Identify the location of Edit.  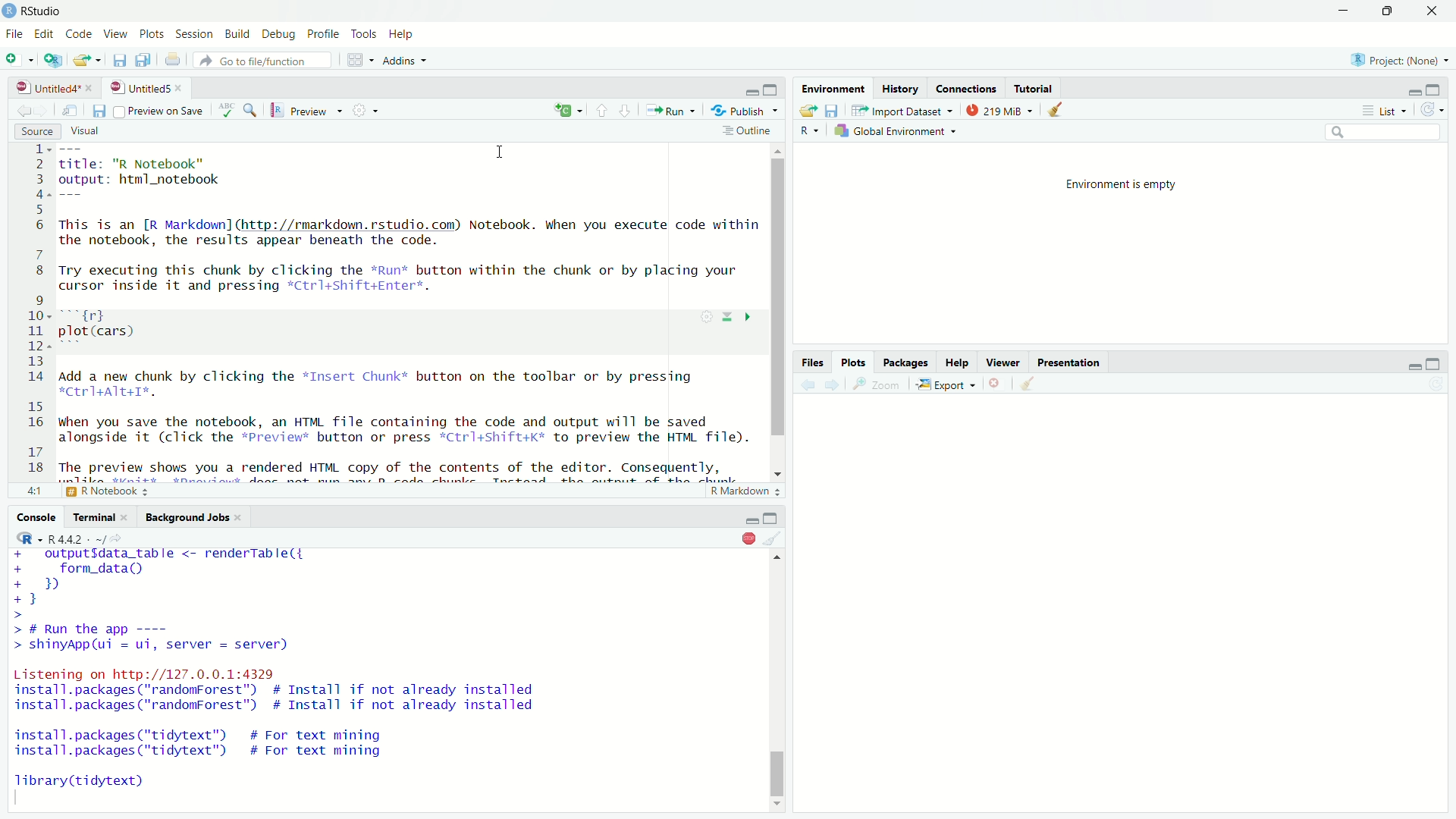
(43, 34).